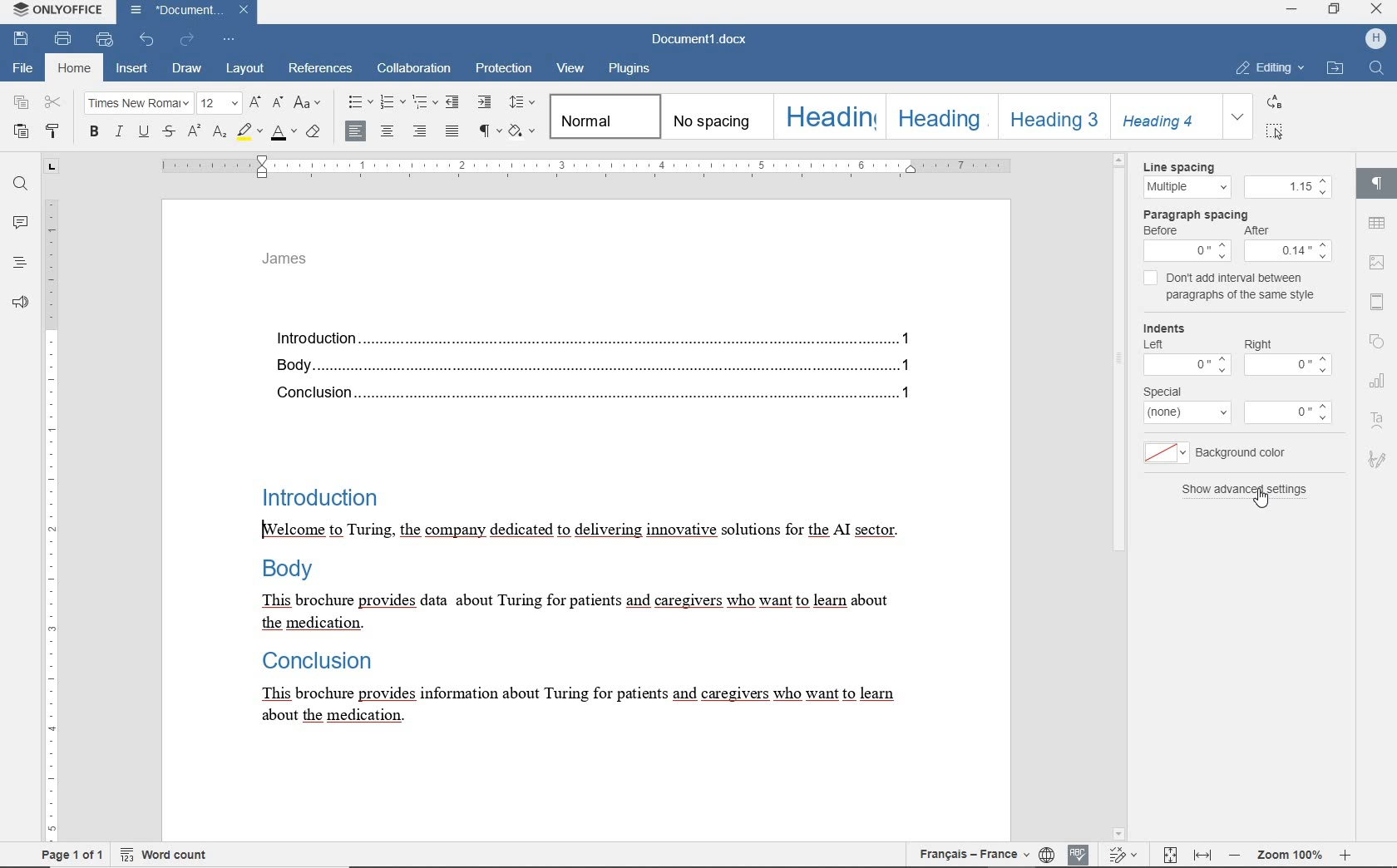  What do you see at coordinates (601, 362) in the screenshot?
I see `Body` at bounding box center [601, 362].